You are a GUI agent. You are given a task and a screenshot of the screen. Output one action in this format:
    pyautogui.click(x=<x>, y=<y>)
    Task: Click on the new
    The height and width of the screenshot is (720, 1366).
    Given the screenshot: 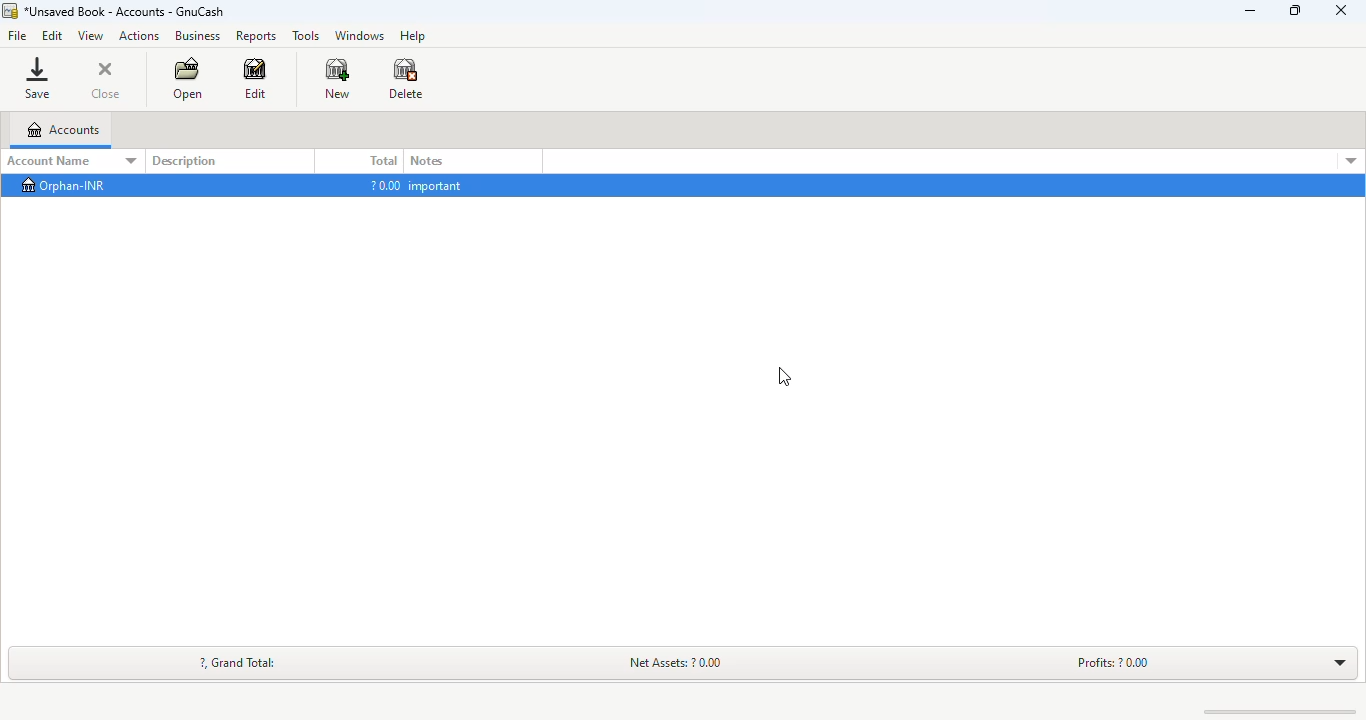 What is the action you would take?
    pyautogui.click(x=336, y=78)
    